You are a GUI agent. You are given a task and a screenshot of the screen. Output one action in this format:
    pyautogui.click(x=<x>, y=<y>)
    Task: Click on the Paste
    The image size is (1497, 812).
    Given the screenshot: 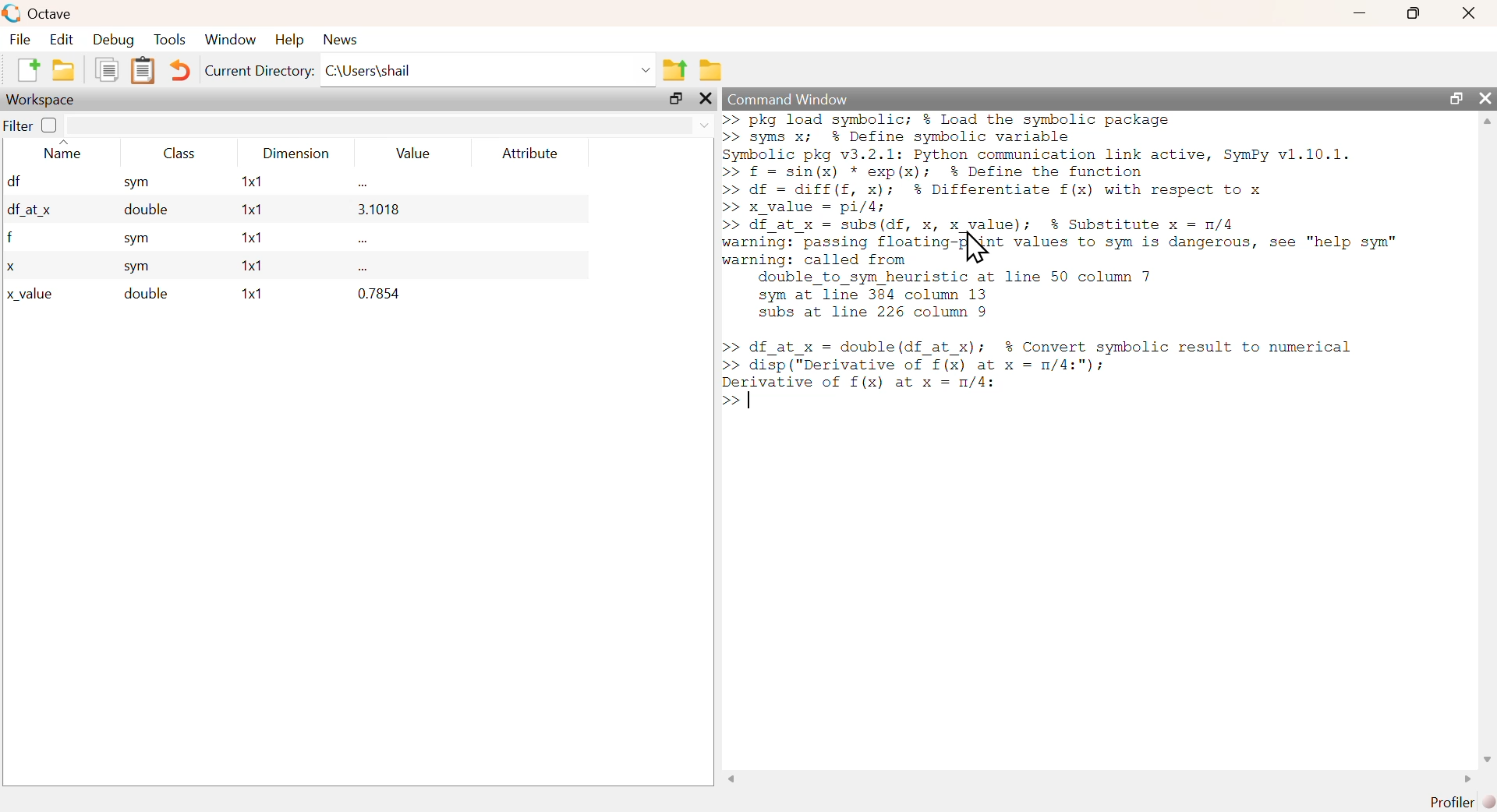 What is the action you would take?
    pyautogui.click(x=143, y=71)
    